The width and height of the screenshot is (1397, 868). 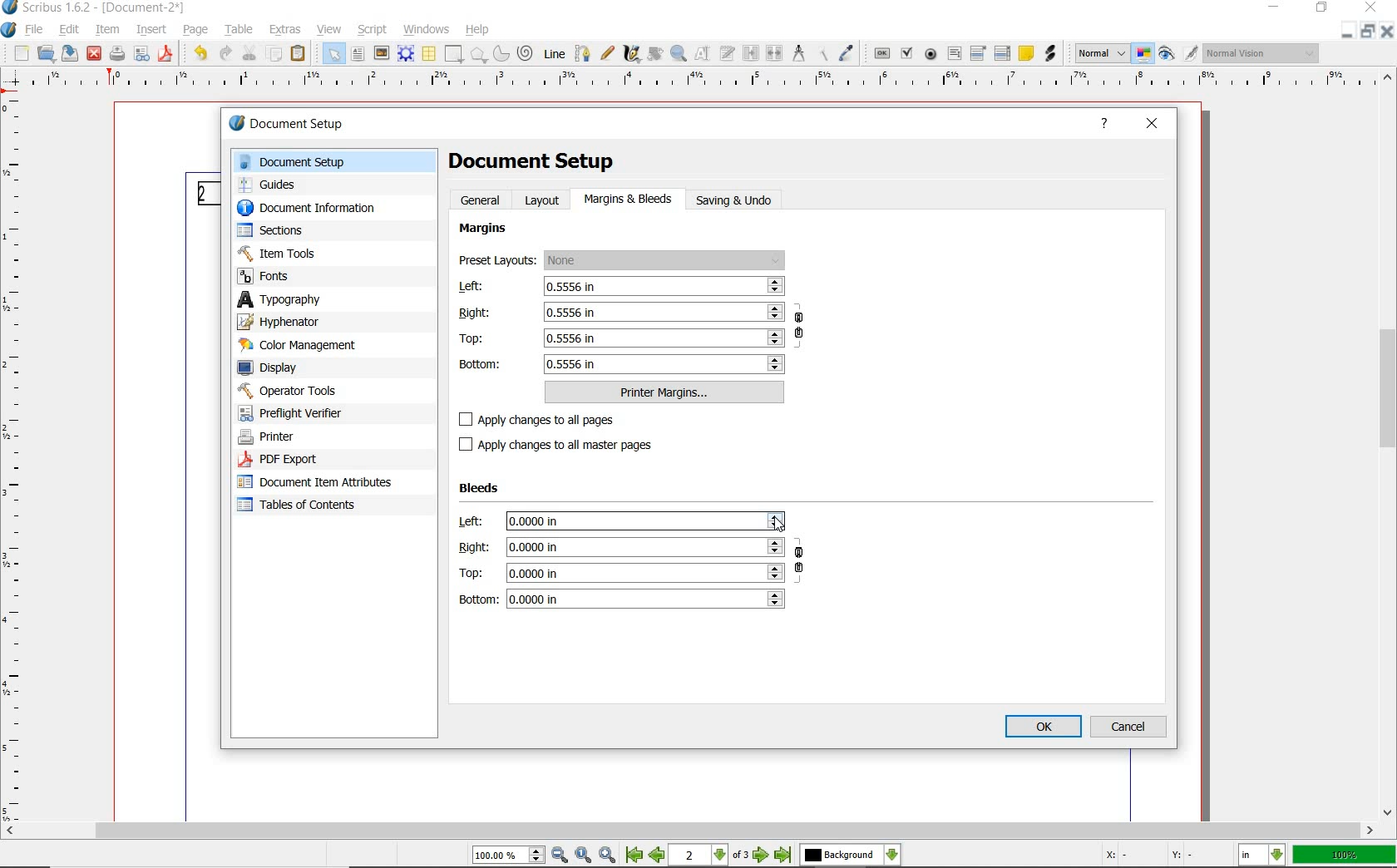 I want to click on Edit in Preview Mode, so click(x=1190, y=56).